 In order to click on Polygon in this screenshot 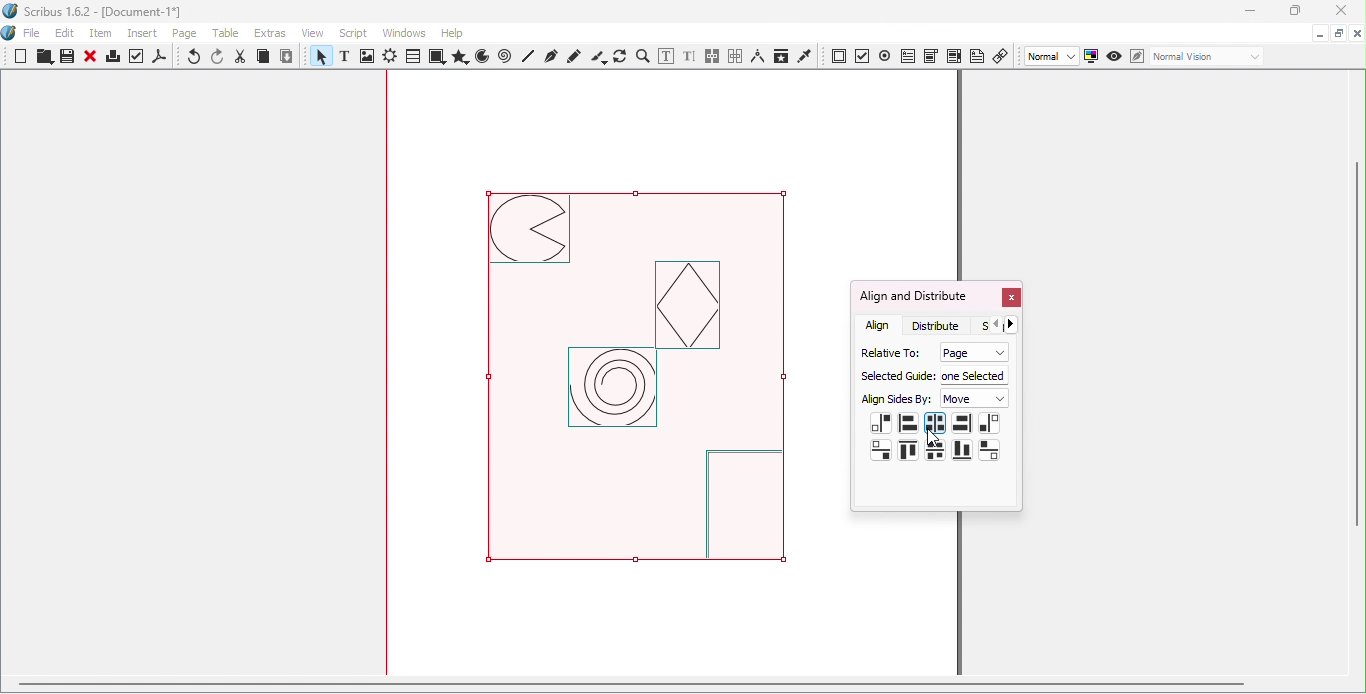, I will do `click(458, 57)`.